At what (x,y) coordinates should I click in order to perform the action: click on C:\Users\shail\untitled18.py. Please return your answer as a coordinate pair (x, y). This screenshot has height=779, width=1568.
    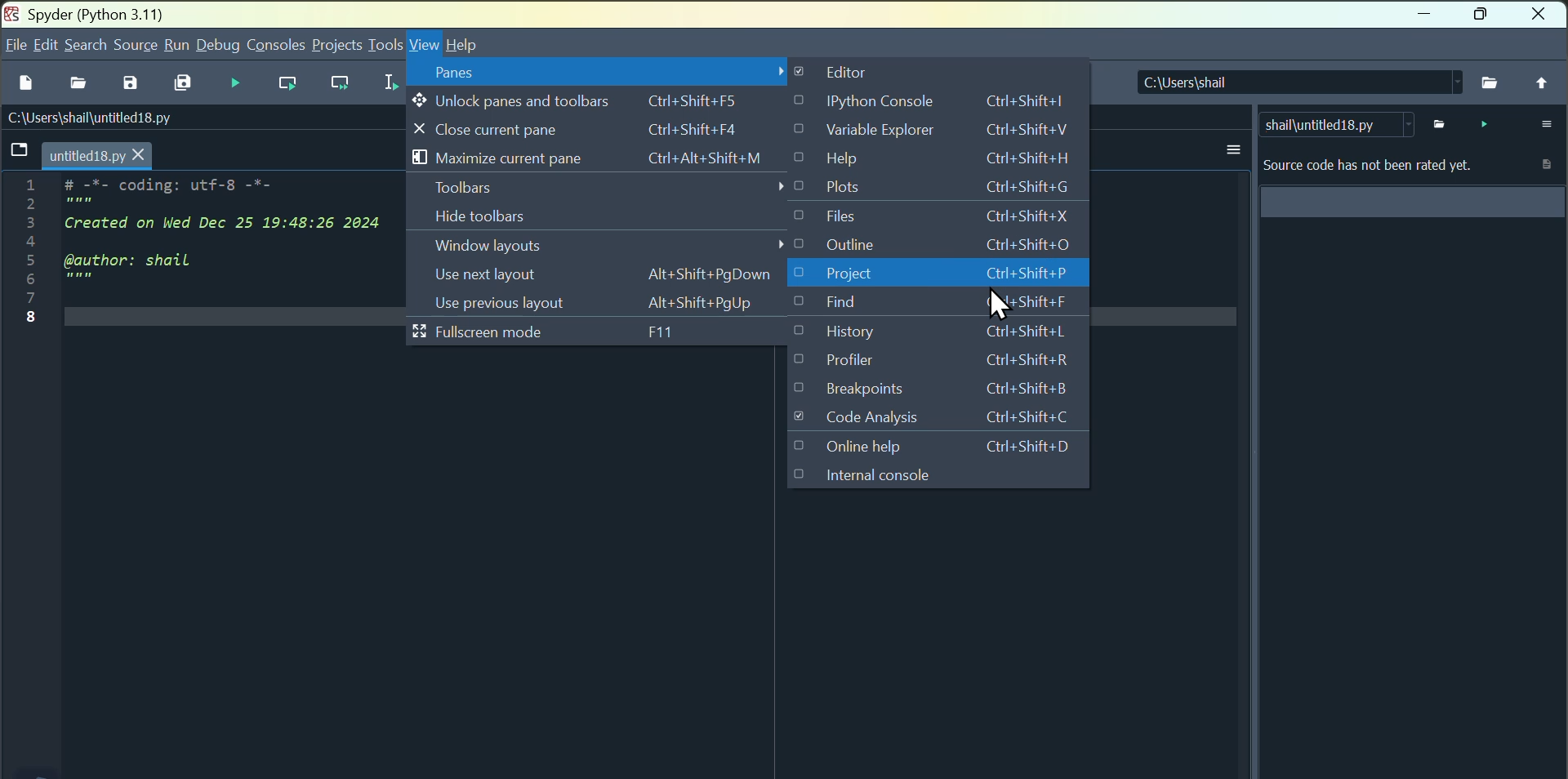
    Looking at the image, I should click on (107, 122).